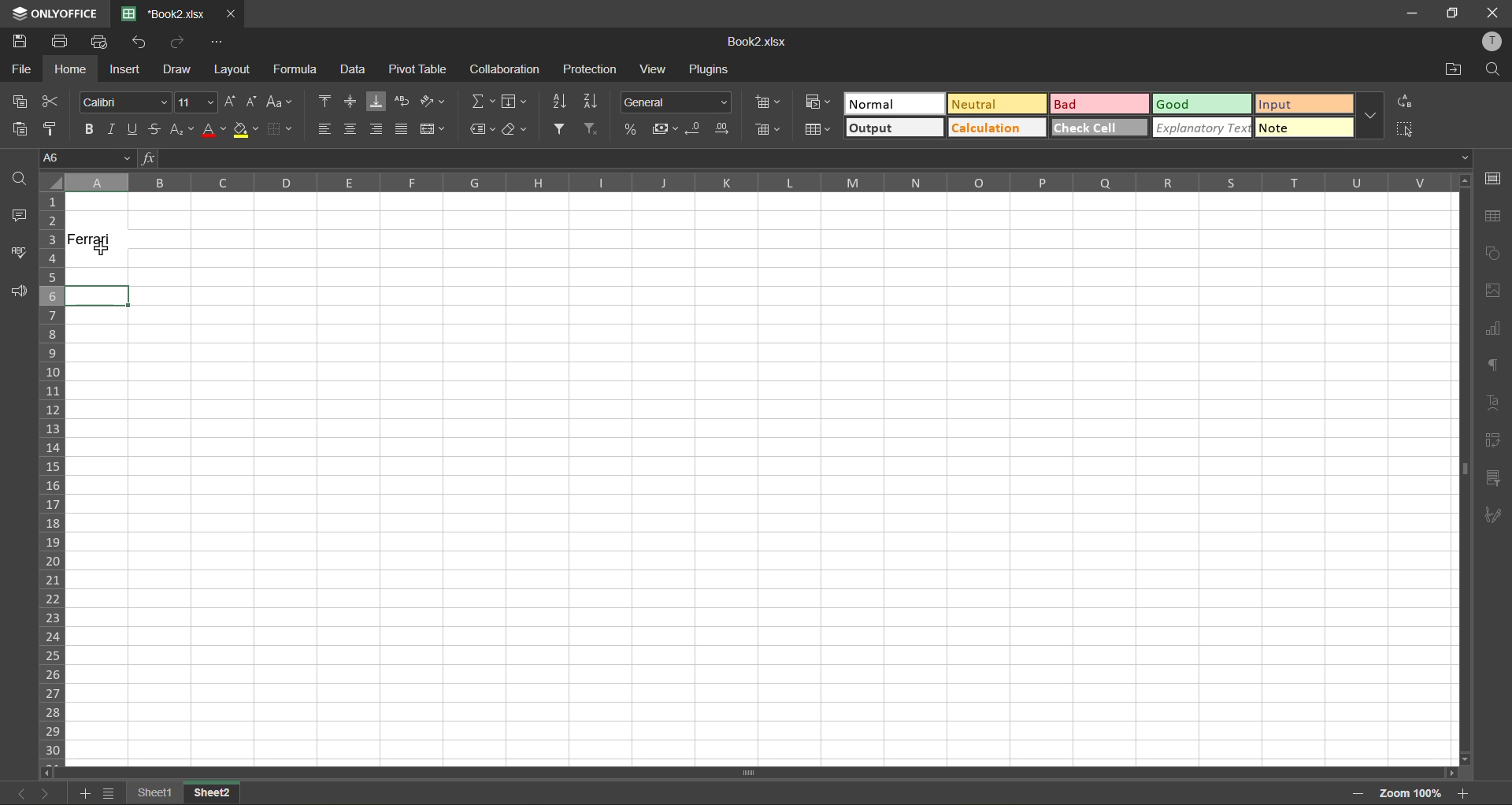 This screenshot has width=1512, height=805. Describe the element at coordinates (1494, 291) in the screenshot. I see `images` at that location.